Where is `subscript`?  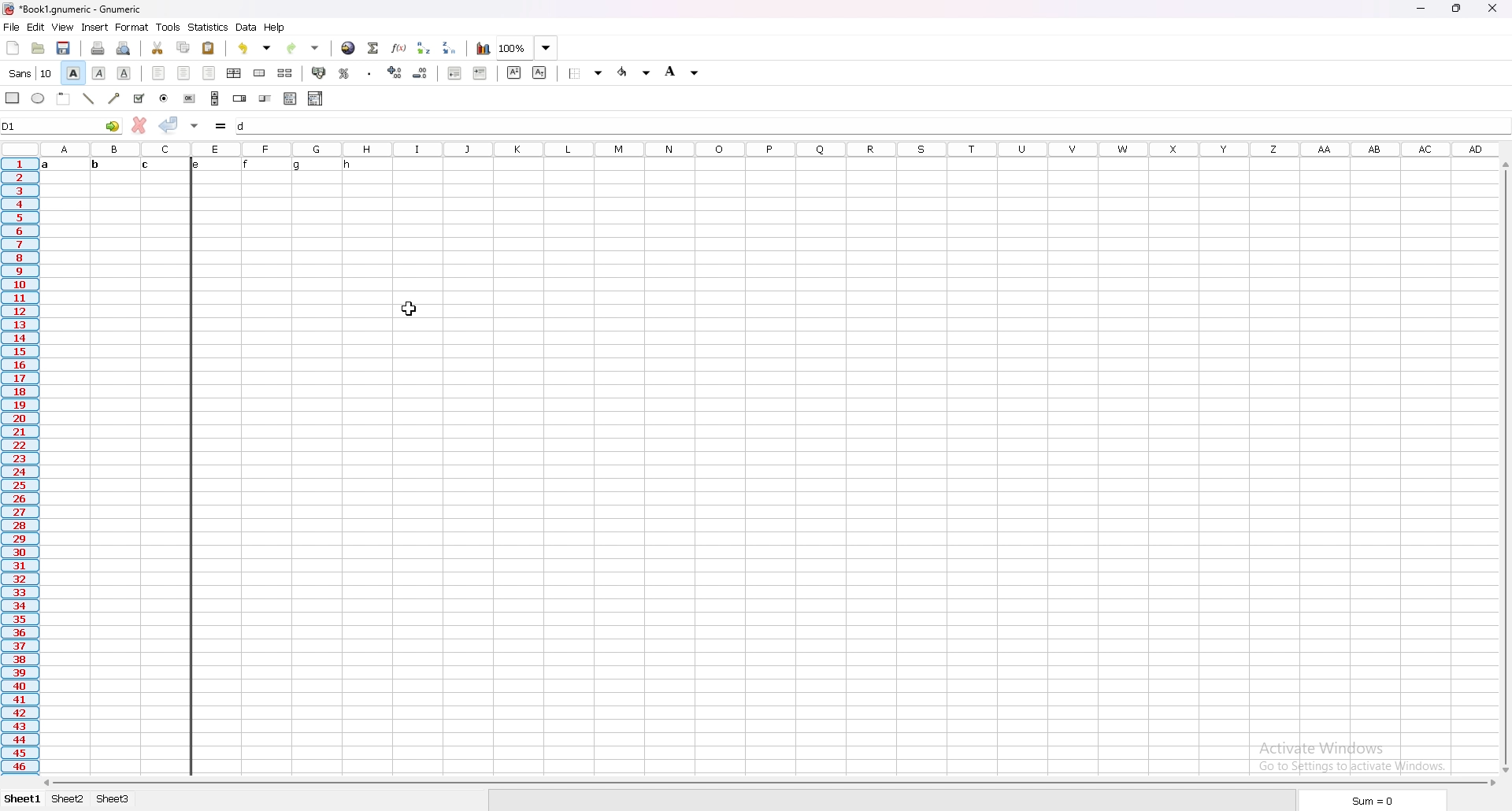 subscript is located at coordinates (539, 72).